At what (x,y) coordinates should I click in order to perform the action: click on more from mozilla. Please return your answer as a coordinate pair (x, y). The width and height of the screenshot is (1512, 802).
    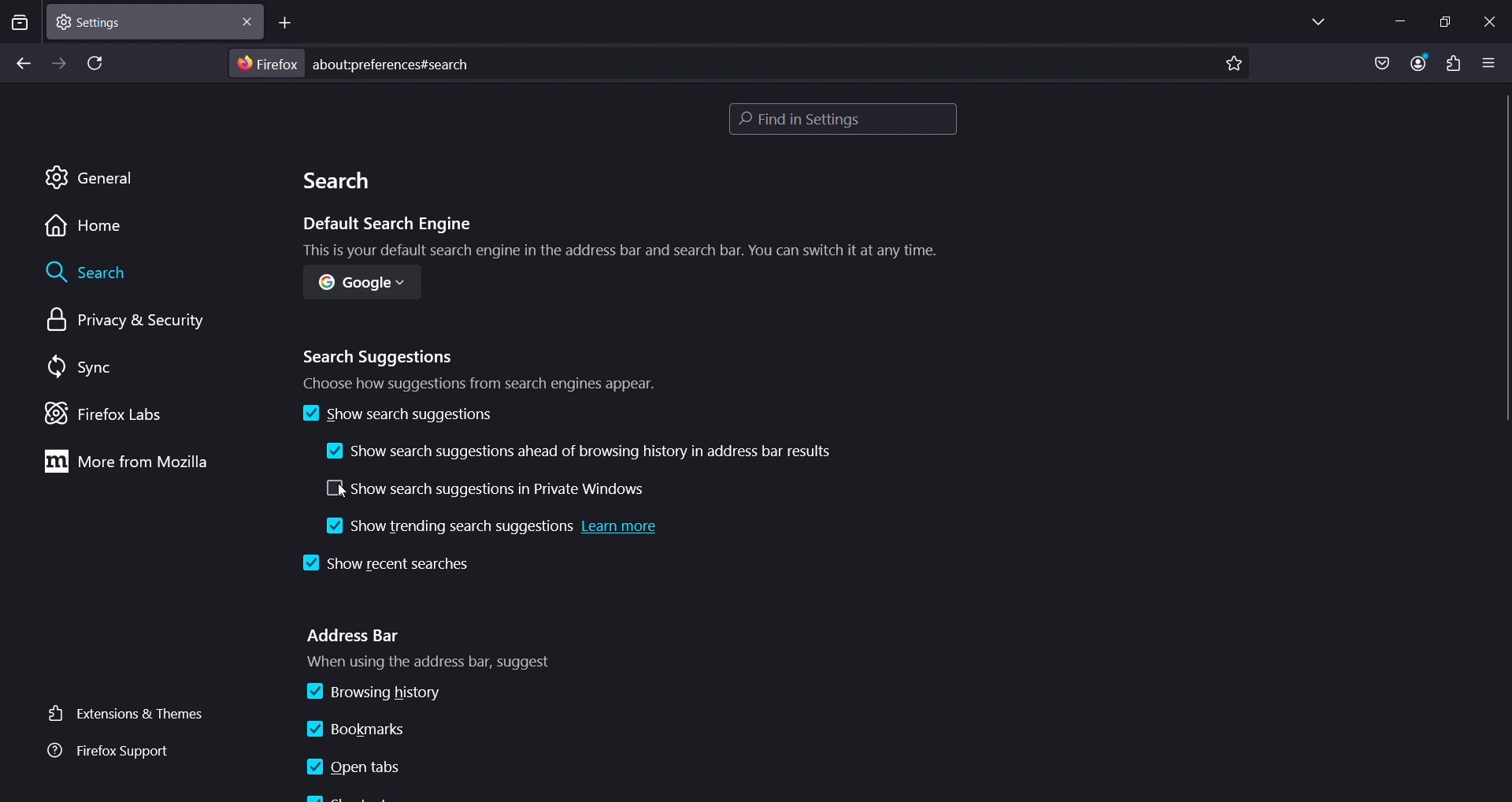
    Looking at the image, I should click on (144, 464).